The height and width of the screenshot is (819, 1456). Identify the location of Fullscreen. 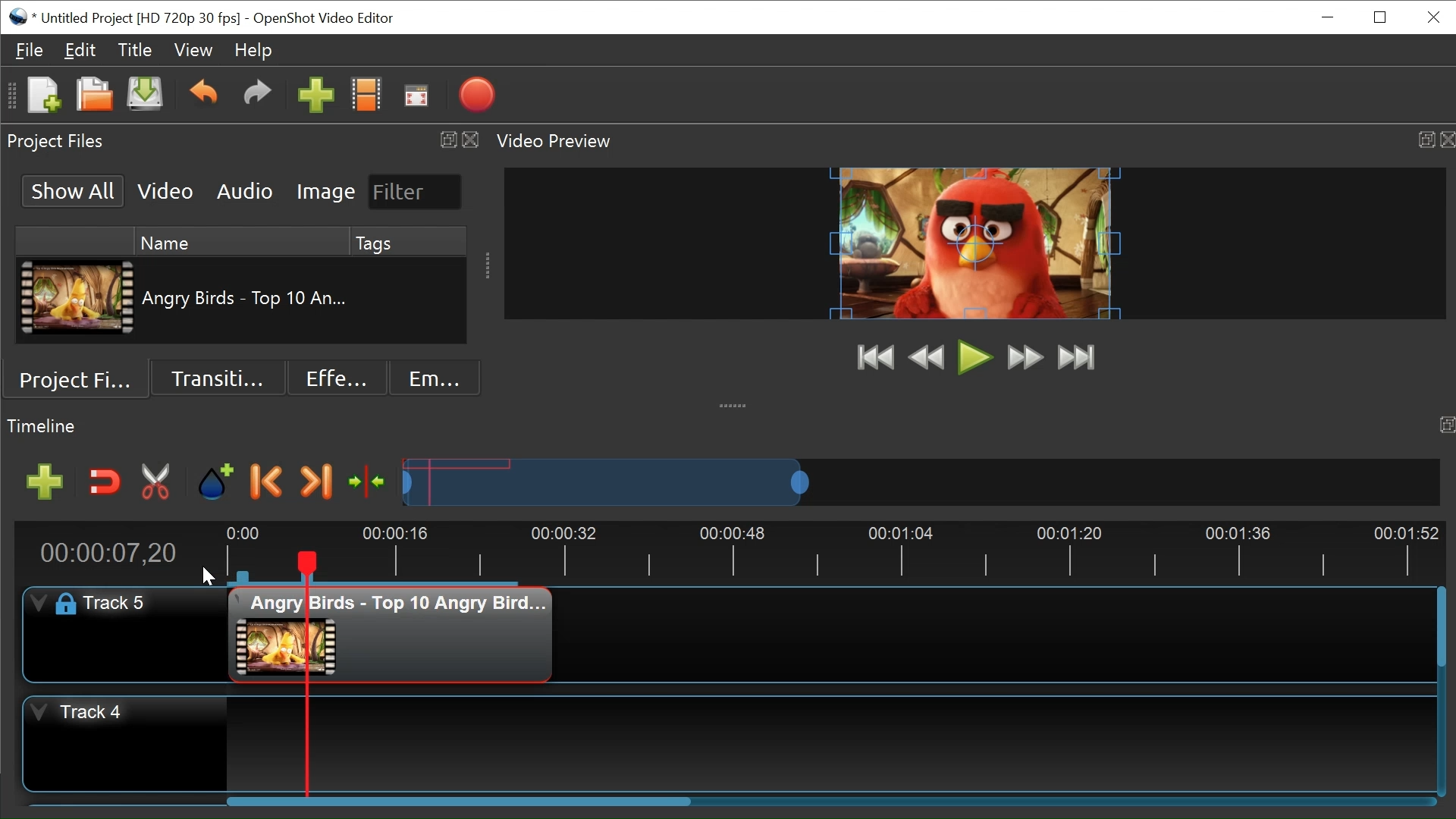
(418, 96).